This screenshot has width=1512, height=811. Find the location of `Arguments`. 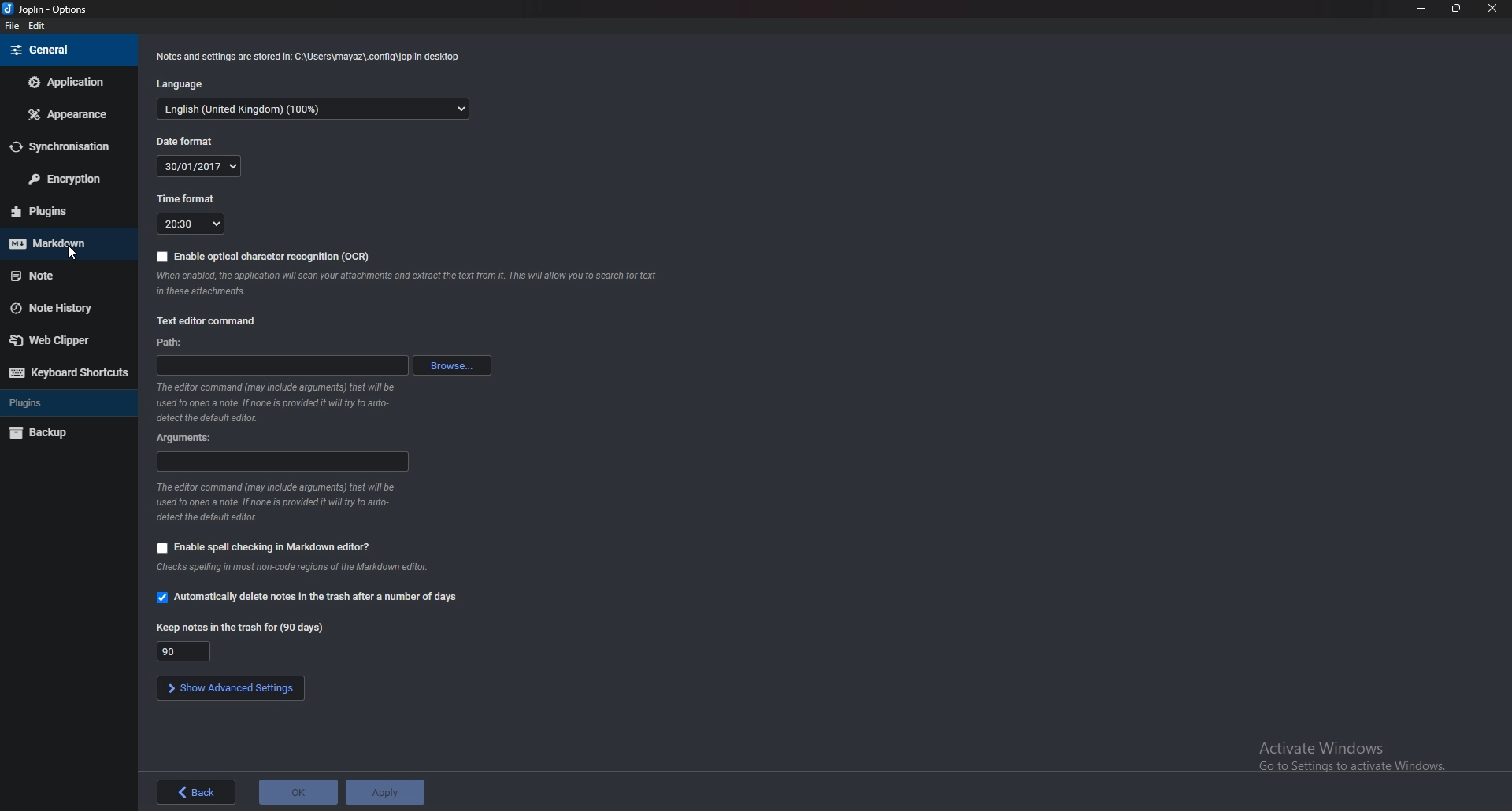

Arguments is located at coordinates (186, 439).